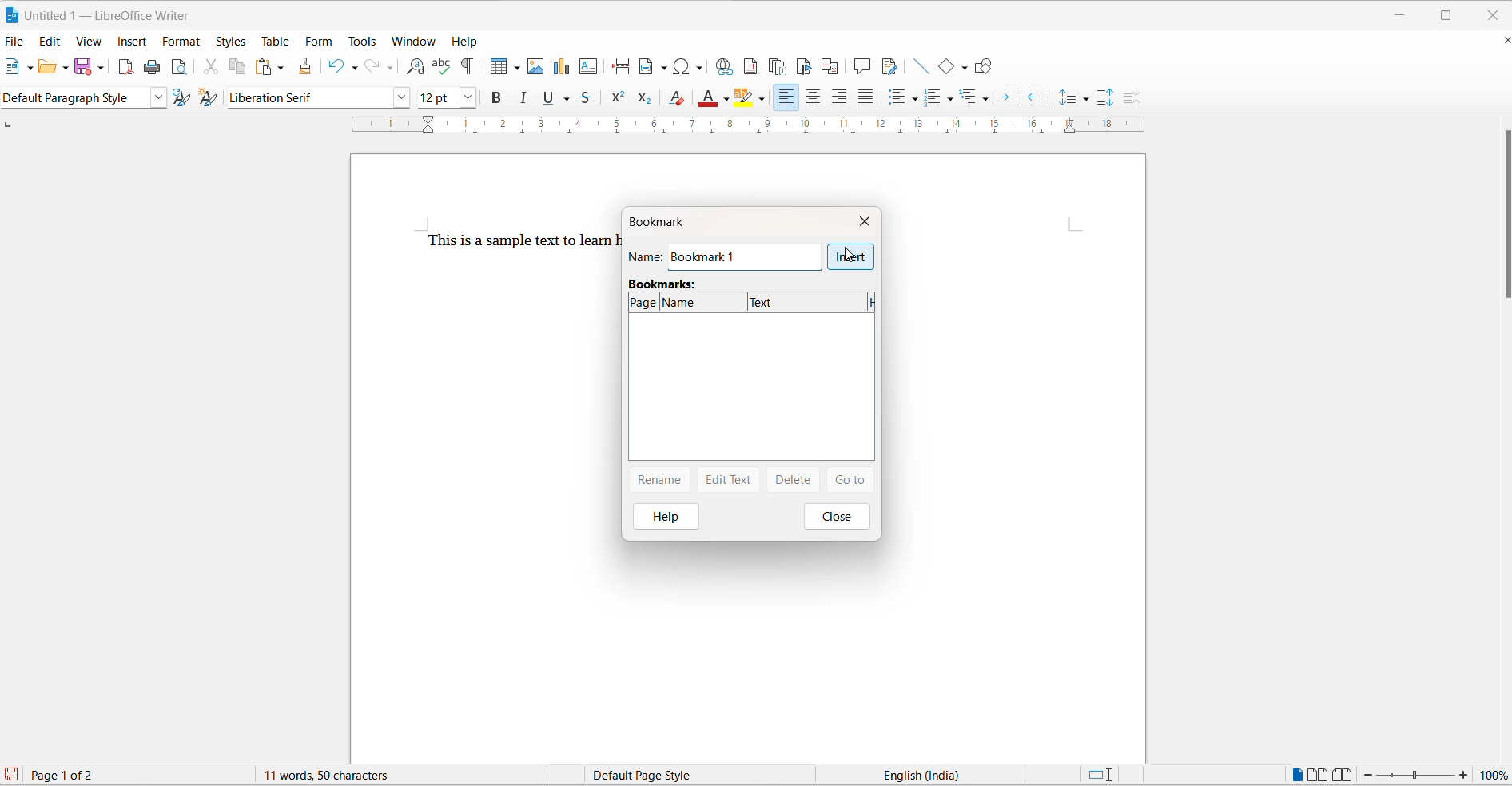 The width and height of the screenshot is (1512, 786). What do you see at coordinates (806, 64) in the screenshot?
I see `cursor` at bounding box center [806, 64].